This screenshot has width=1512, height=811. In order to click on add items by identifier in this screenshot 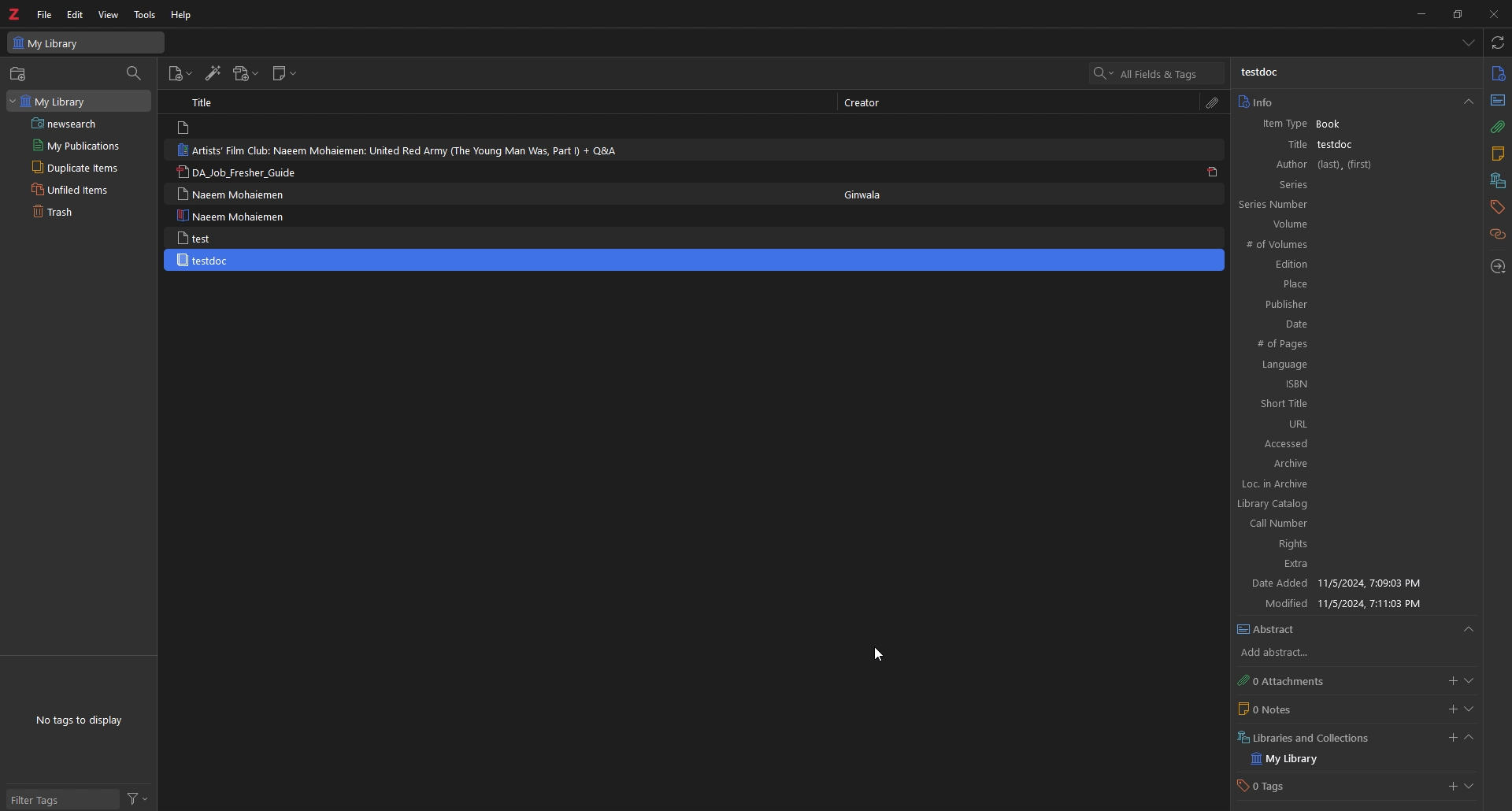, I will do `click(212, 74)`.